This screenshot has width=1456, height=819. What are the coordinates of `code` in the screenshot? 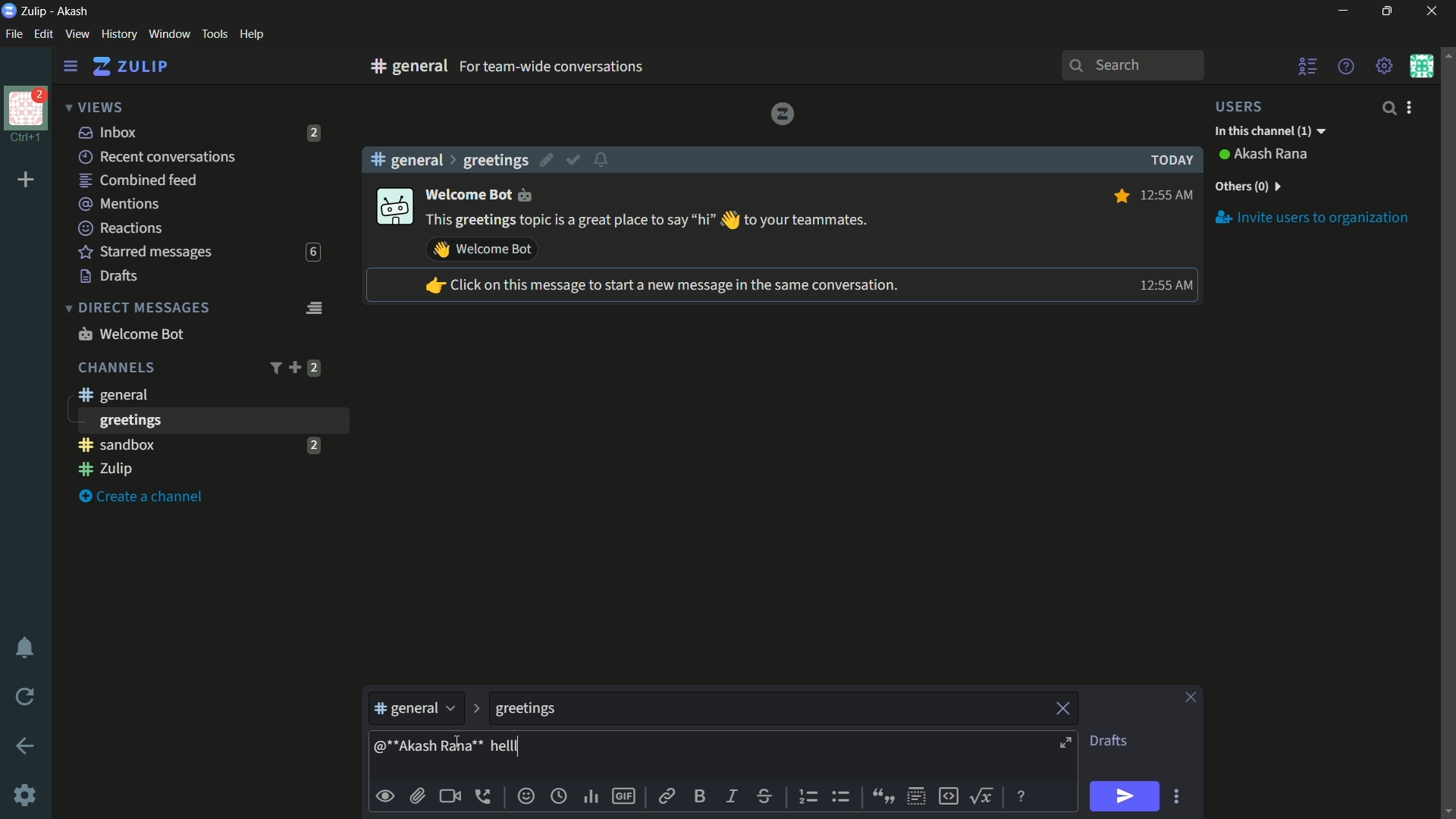 It's located at (948, 795).